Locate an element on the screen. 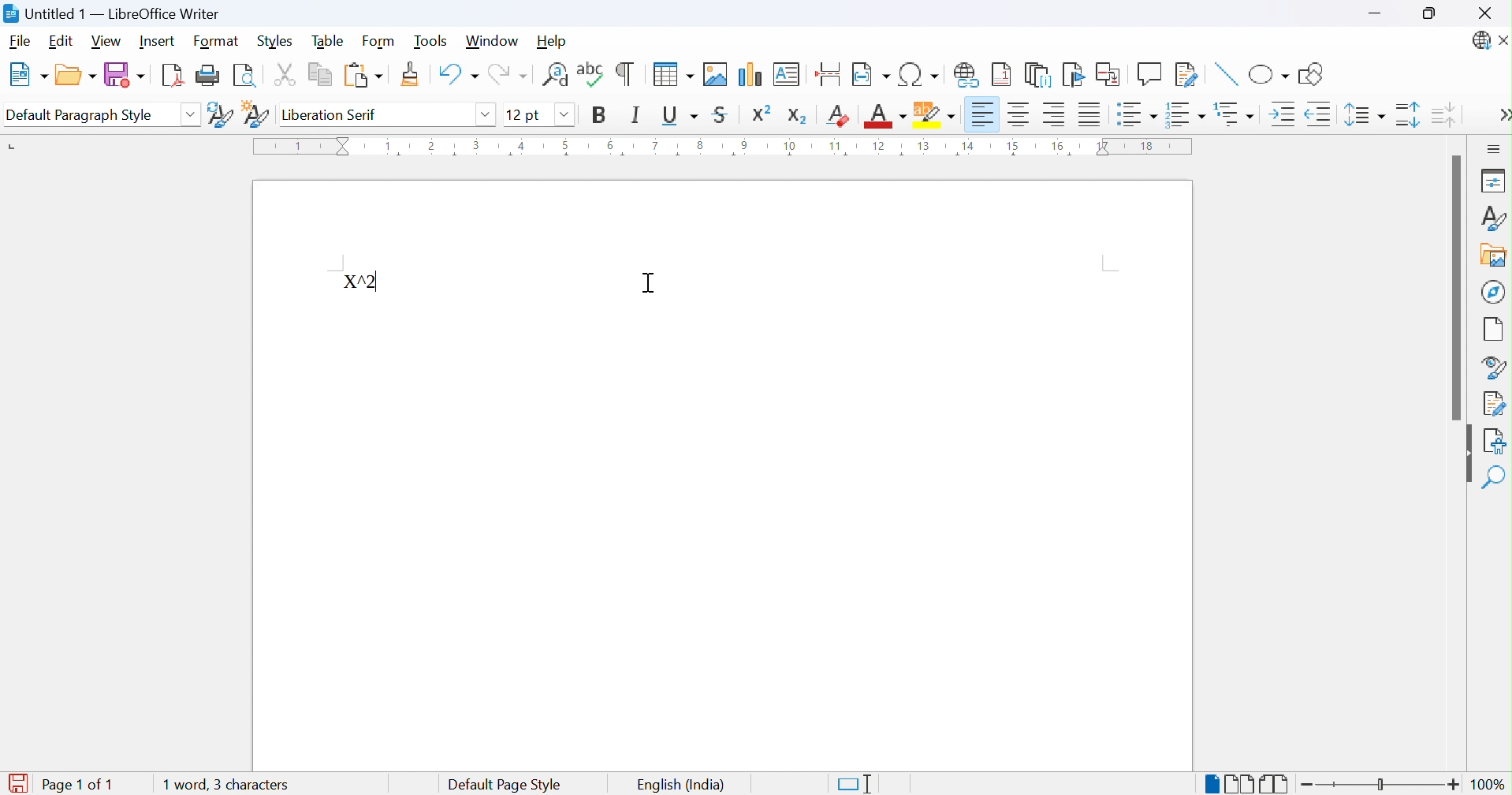 The image size is (1512, 795). LibreOffice update available is located at coordinates (1483, 41).